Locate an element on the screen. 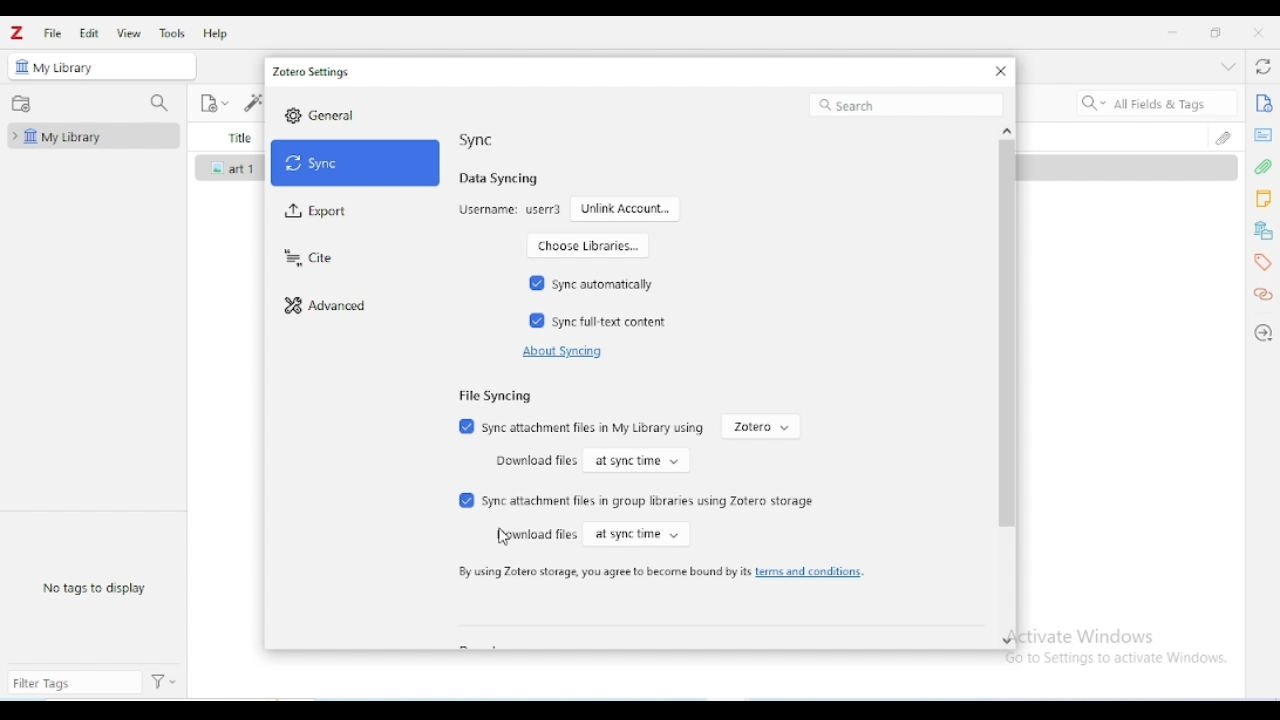 Image resolution: width=1280 pixels, height=720 pixels. icon is located at coordinates (219, 168).